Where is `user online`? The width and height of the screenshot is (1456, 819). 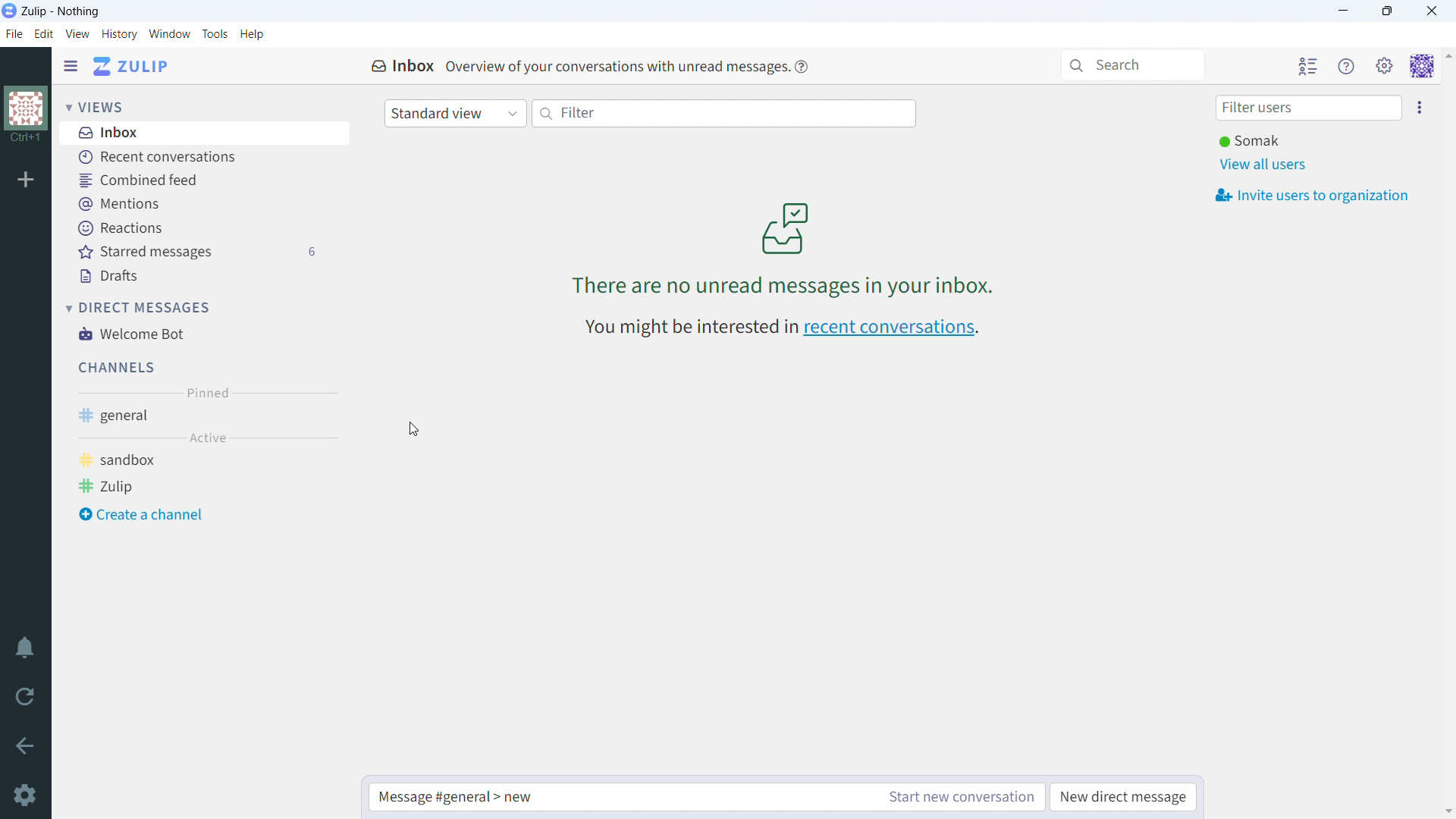 user online is located at coordinates (1249, 141).